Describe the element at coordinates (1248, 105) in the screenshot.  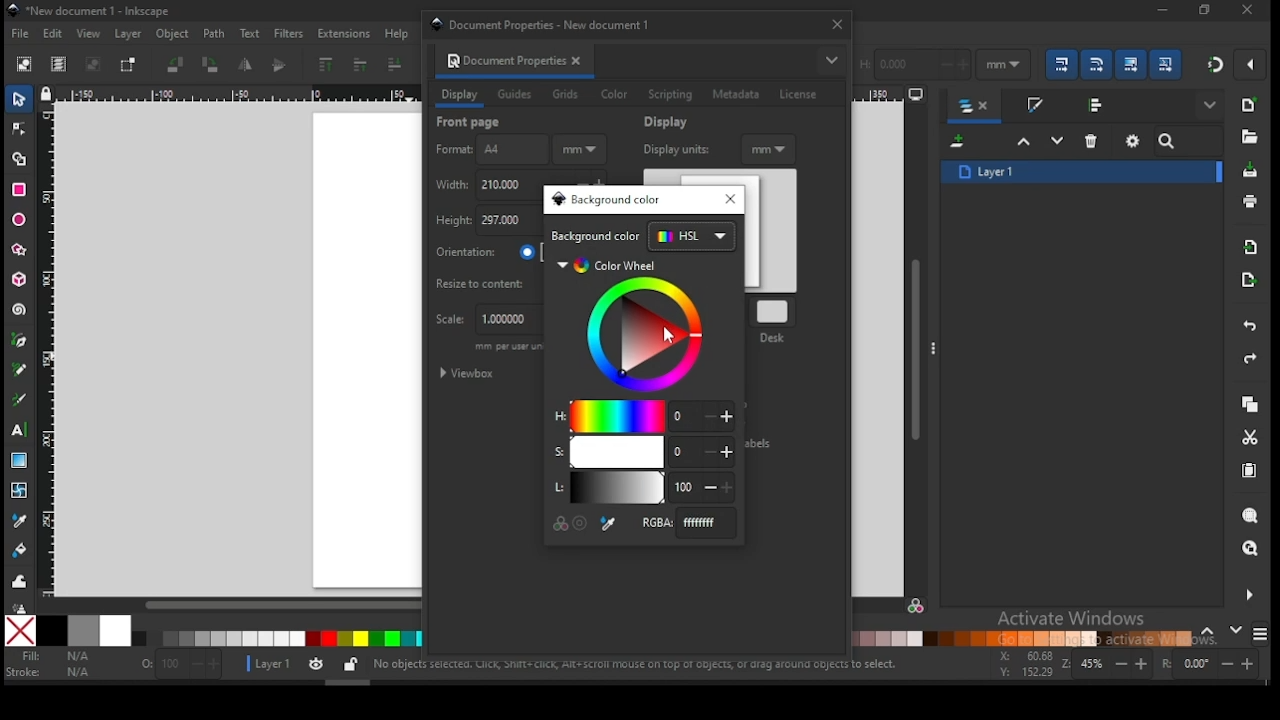
I see `new` at that location.